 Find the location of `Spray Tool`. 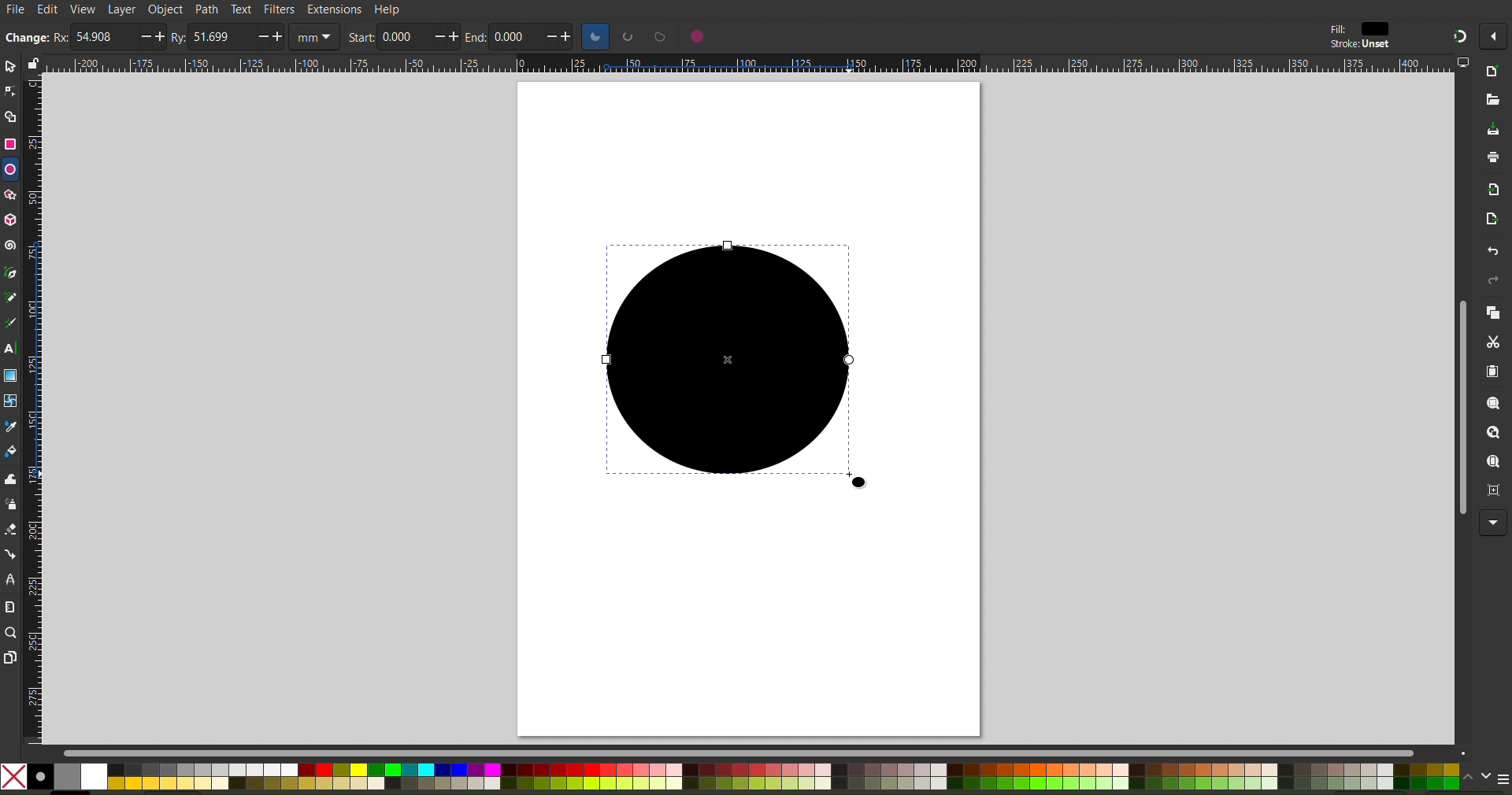

Spray Tool is located at coordinates (10, 531).